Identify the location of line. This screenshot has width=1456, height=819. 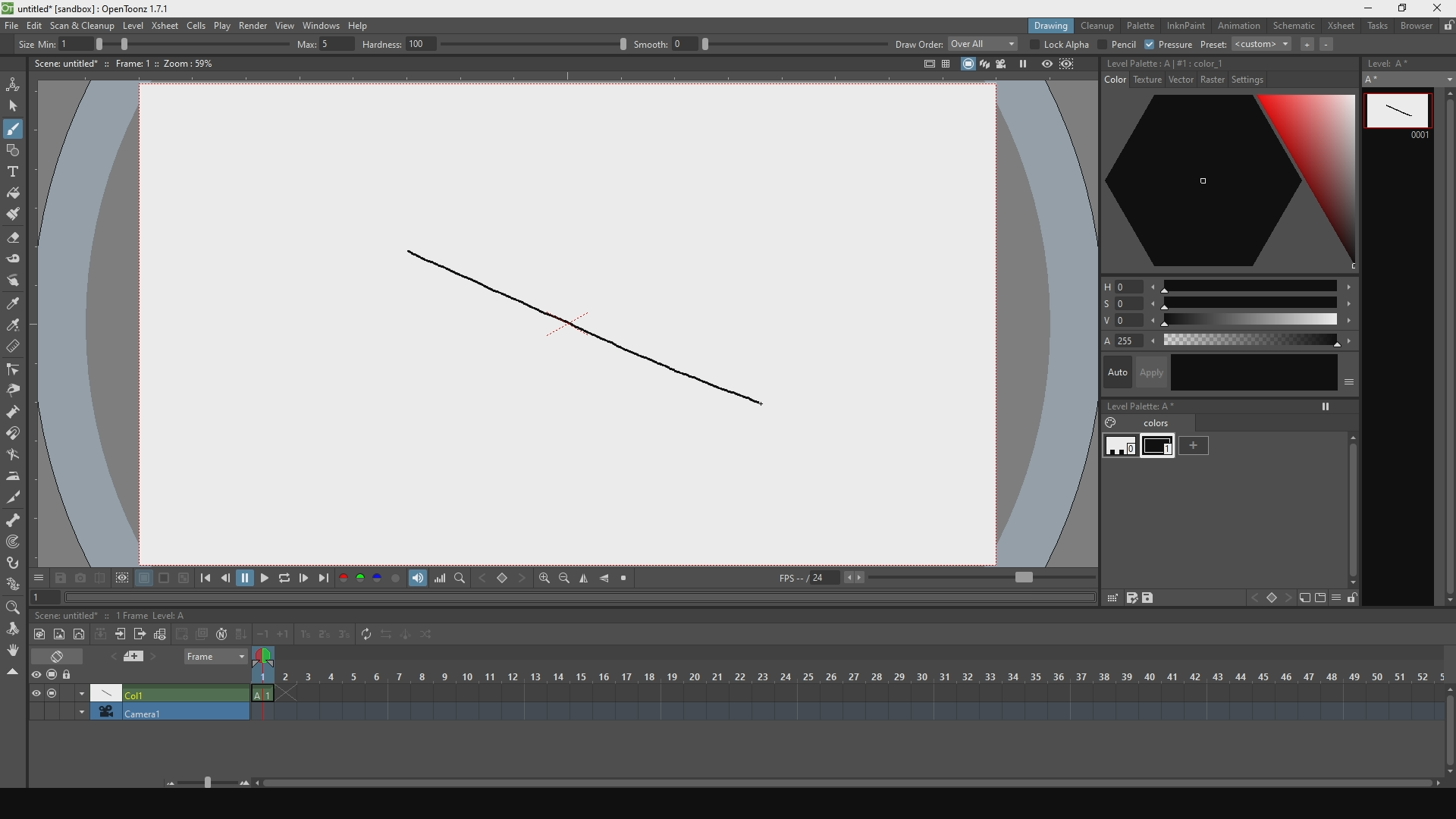
(1397, 118).